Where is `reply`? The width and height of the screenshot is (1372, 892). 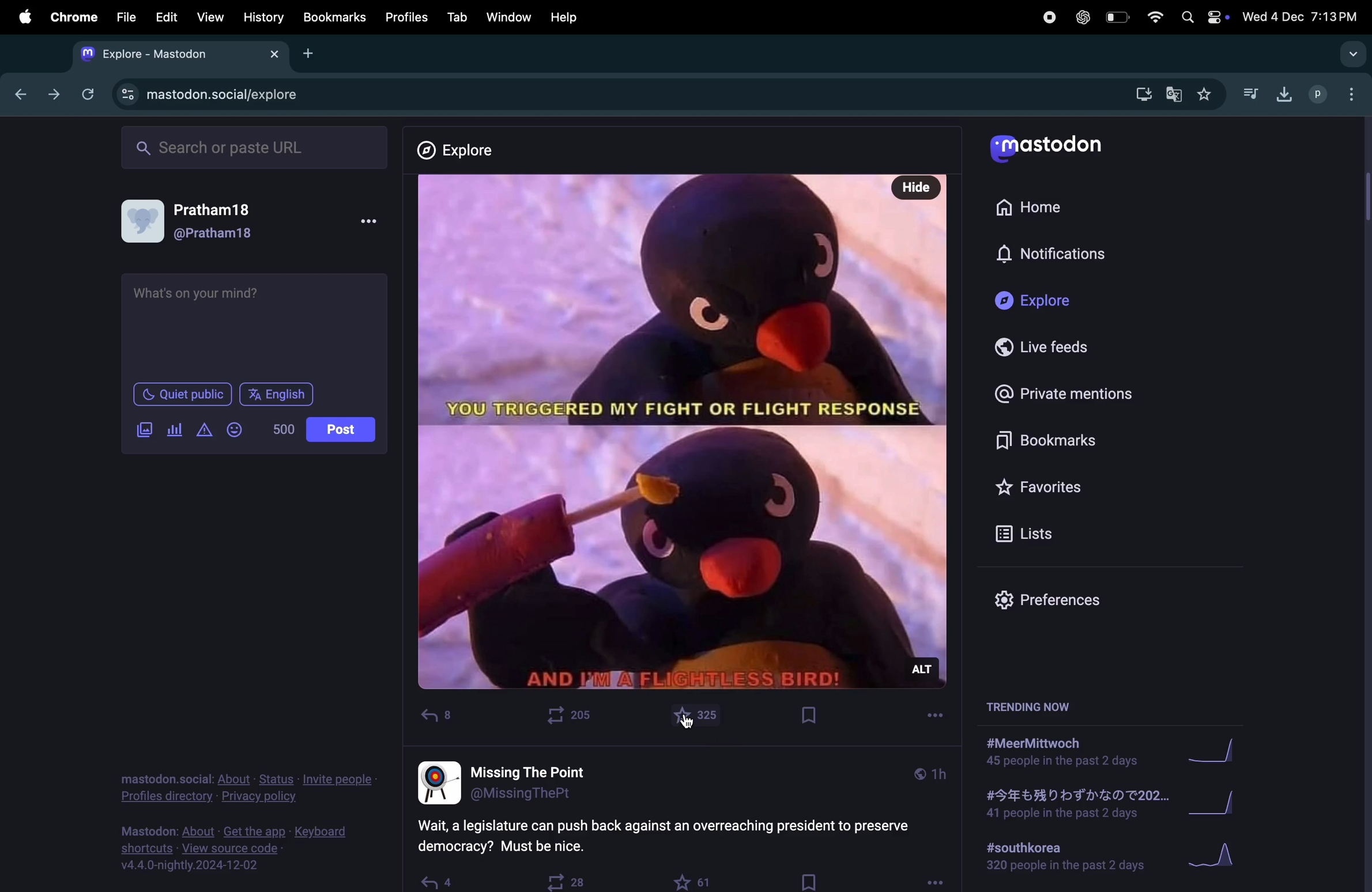
reply is located at coordinates (438, 880).